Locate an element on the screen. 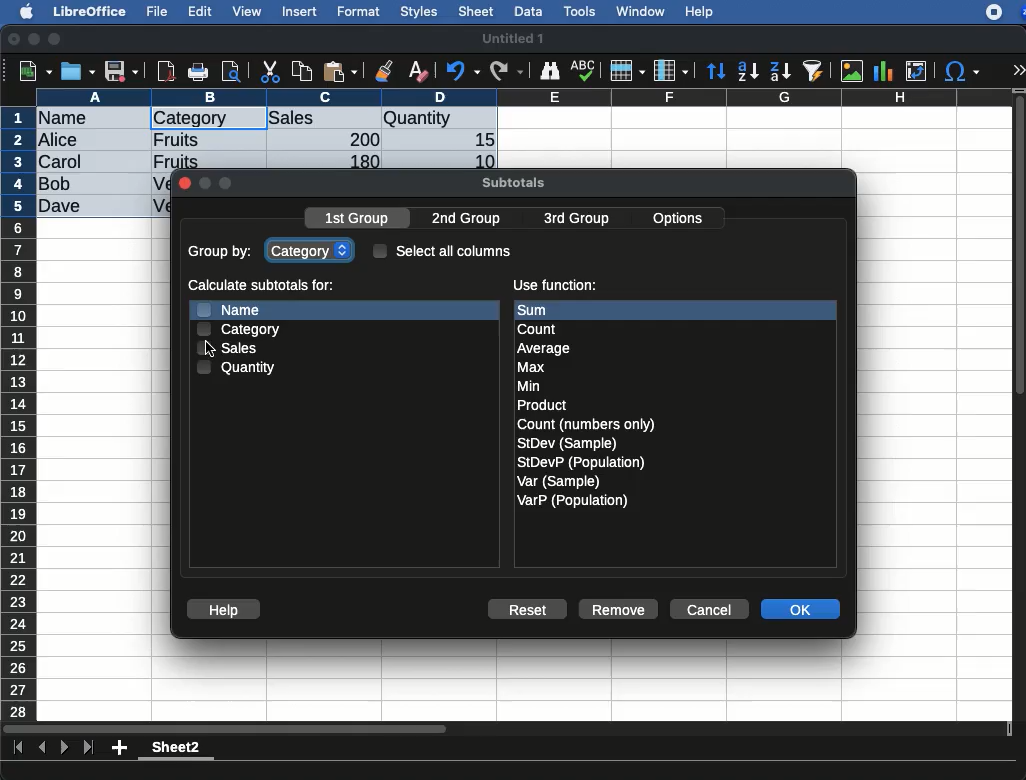  redo is located at coordinates (507, 71).